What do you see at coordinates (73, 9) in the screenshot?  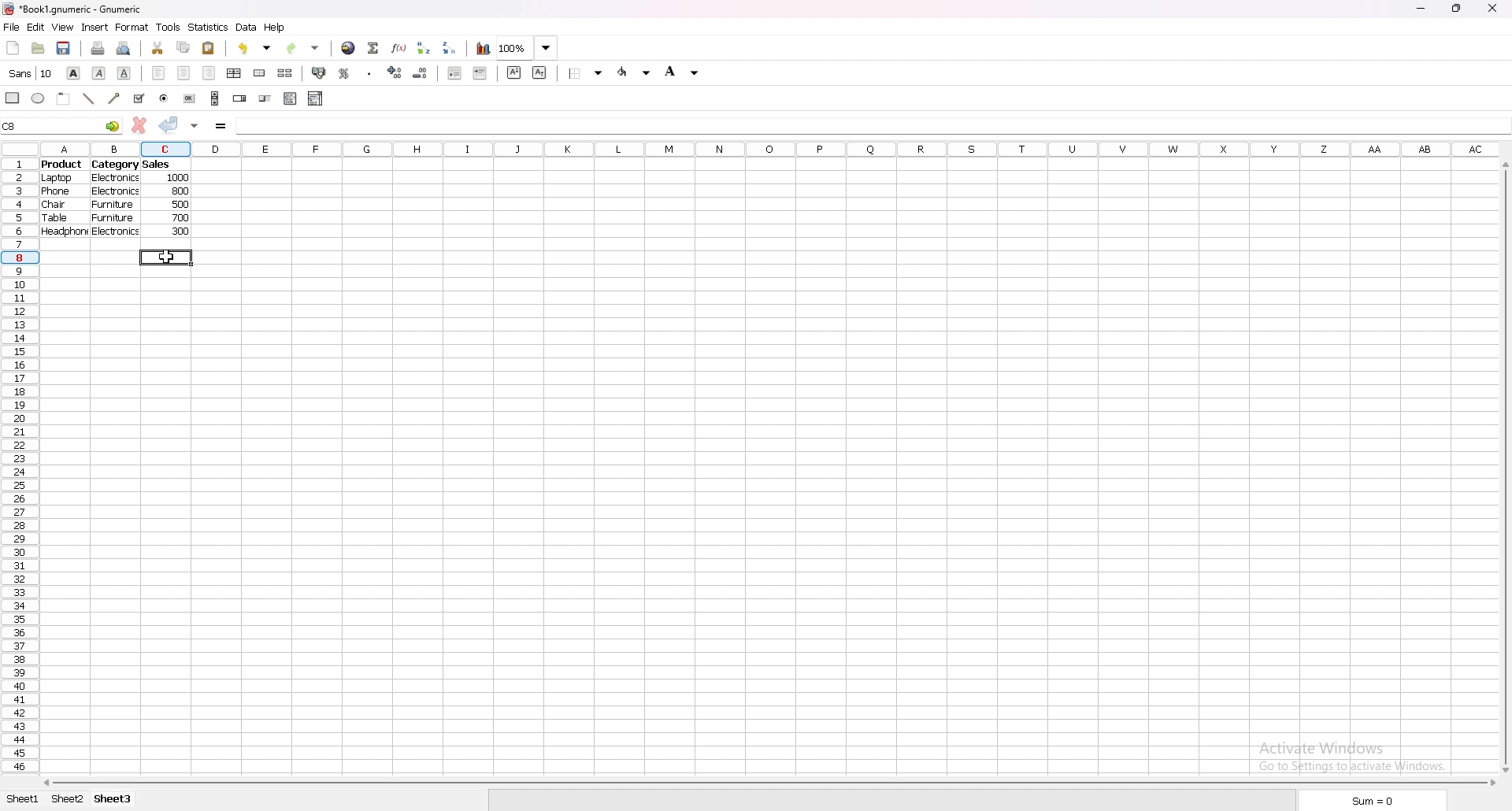 I see `file name` at bounding box center [73, 9].